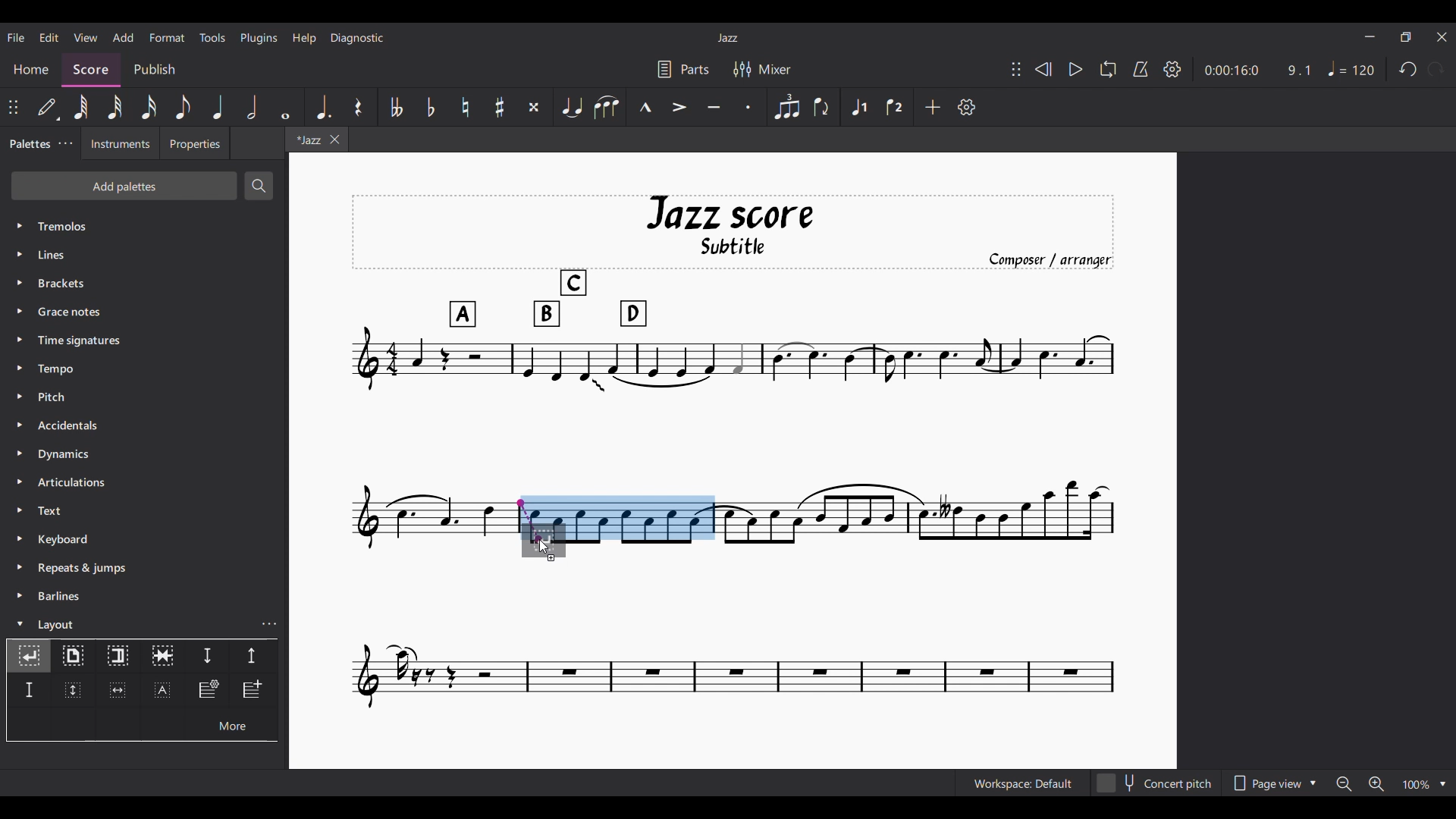 The width and height of the screenshot is (1456, 819). Describe the element at coordinates (252, 107) in the screenshot. I see `Half note` at that location.